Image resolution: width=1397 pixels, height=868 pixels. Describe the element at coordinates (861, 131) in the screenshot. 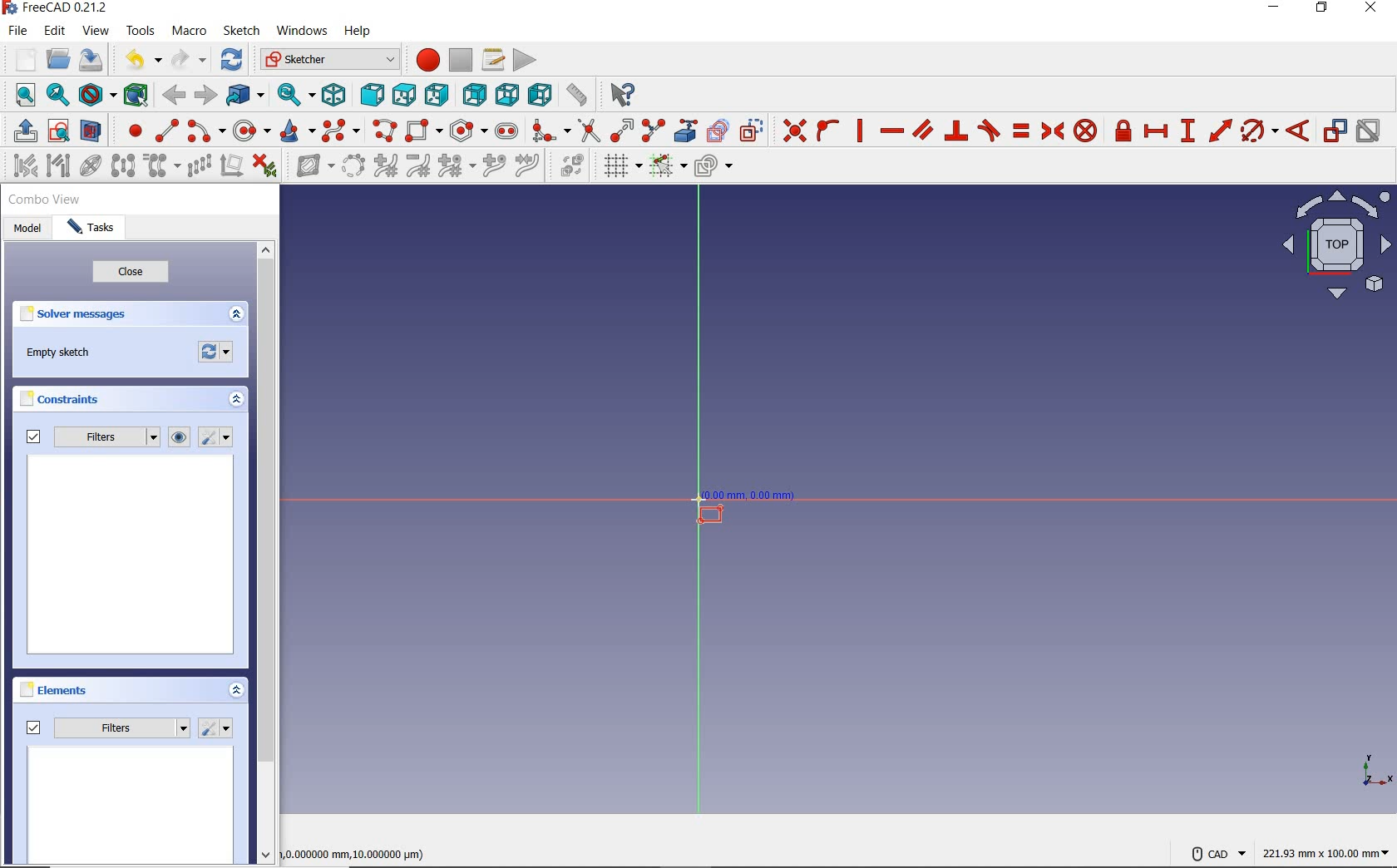

I see `constrain vertically` at that location.